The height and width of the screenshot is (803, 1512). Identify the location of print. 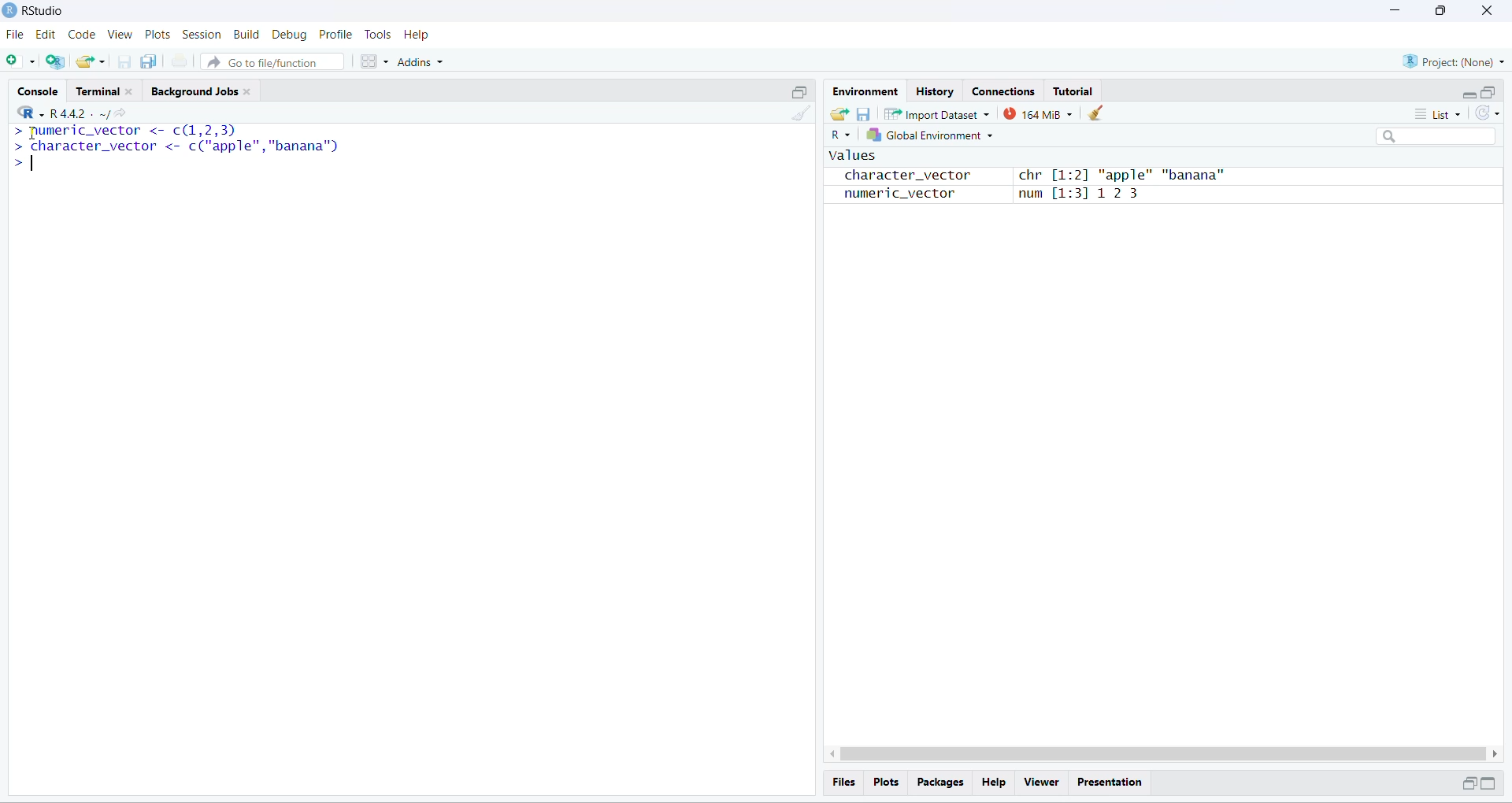
(180, 61).